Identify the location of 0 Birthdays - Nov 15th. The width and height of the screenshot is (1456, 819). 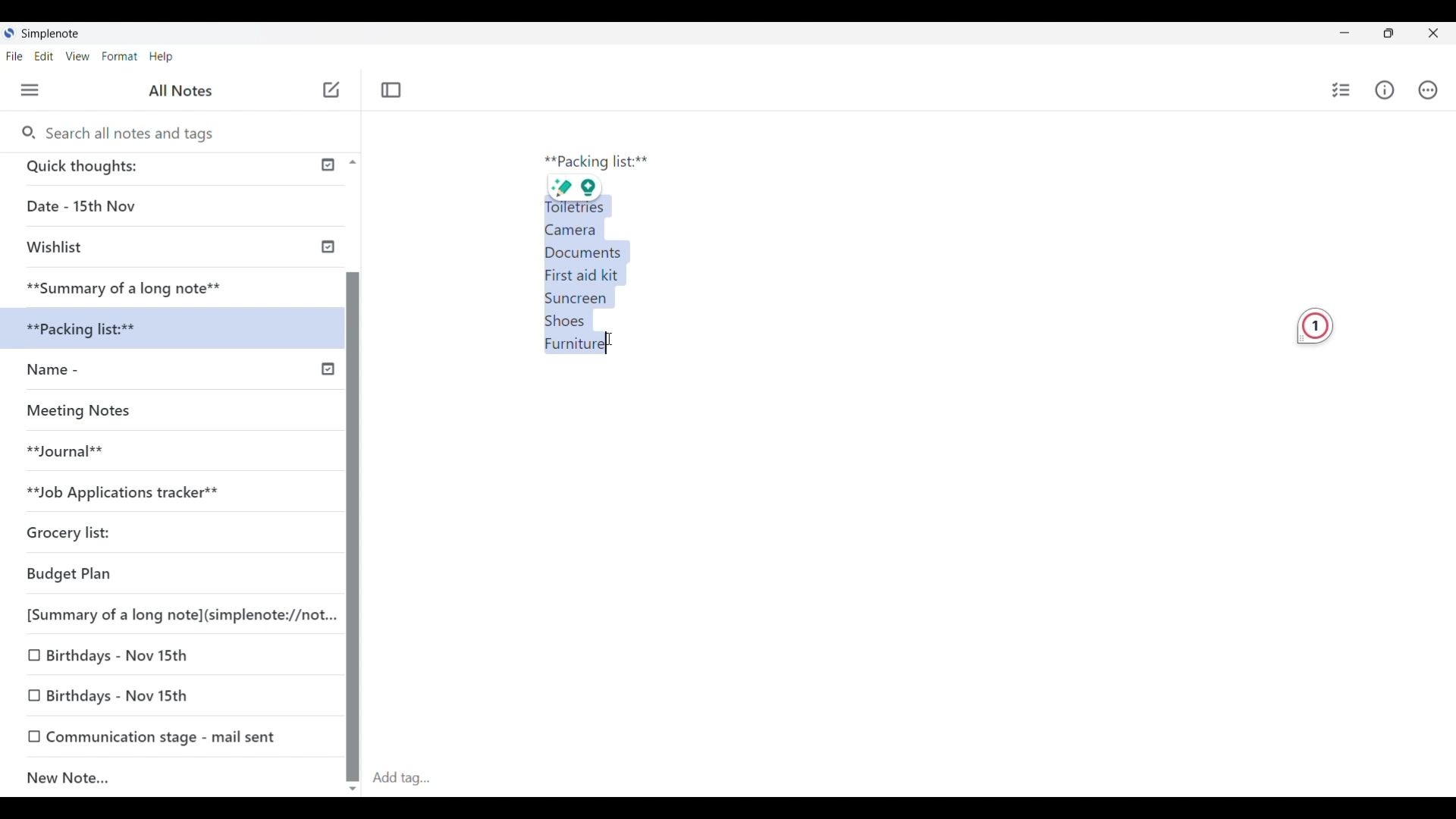
(123, 695).